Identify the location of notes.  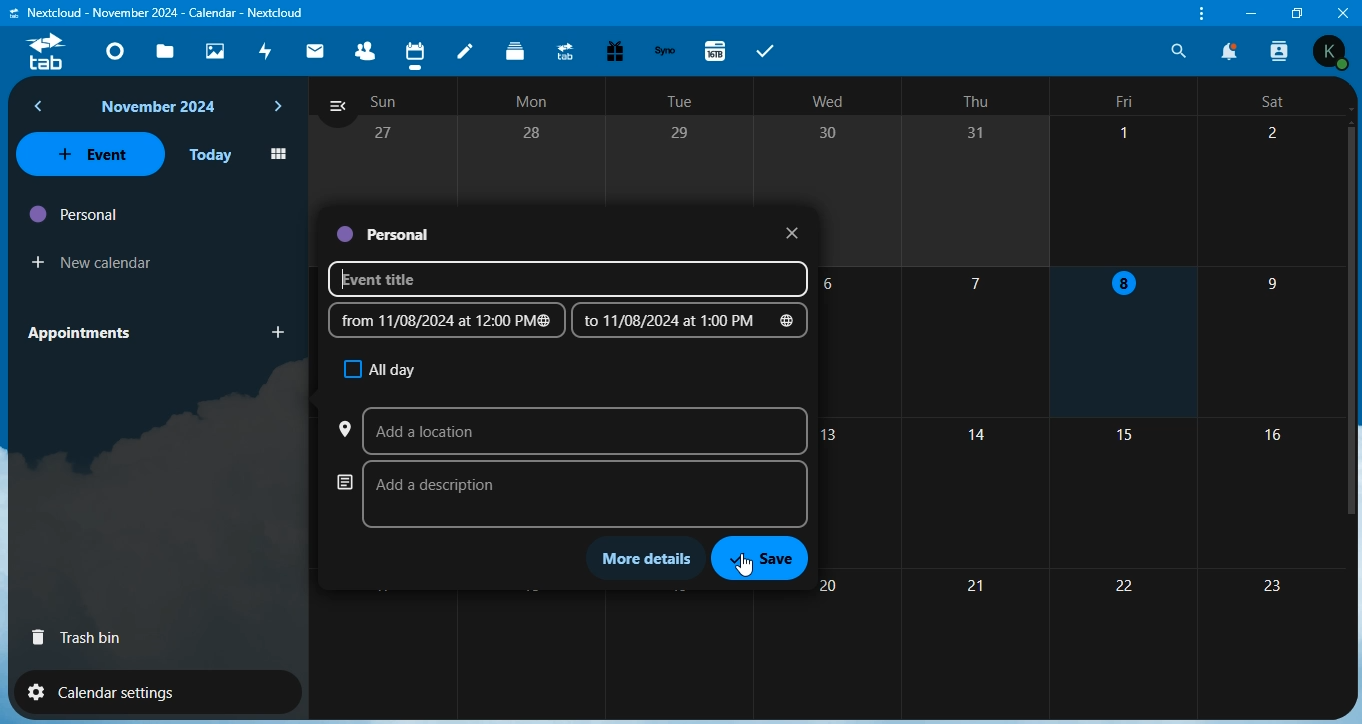
(466, 48).